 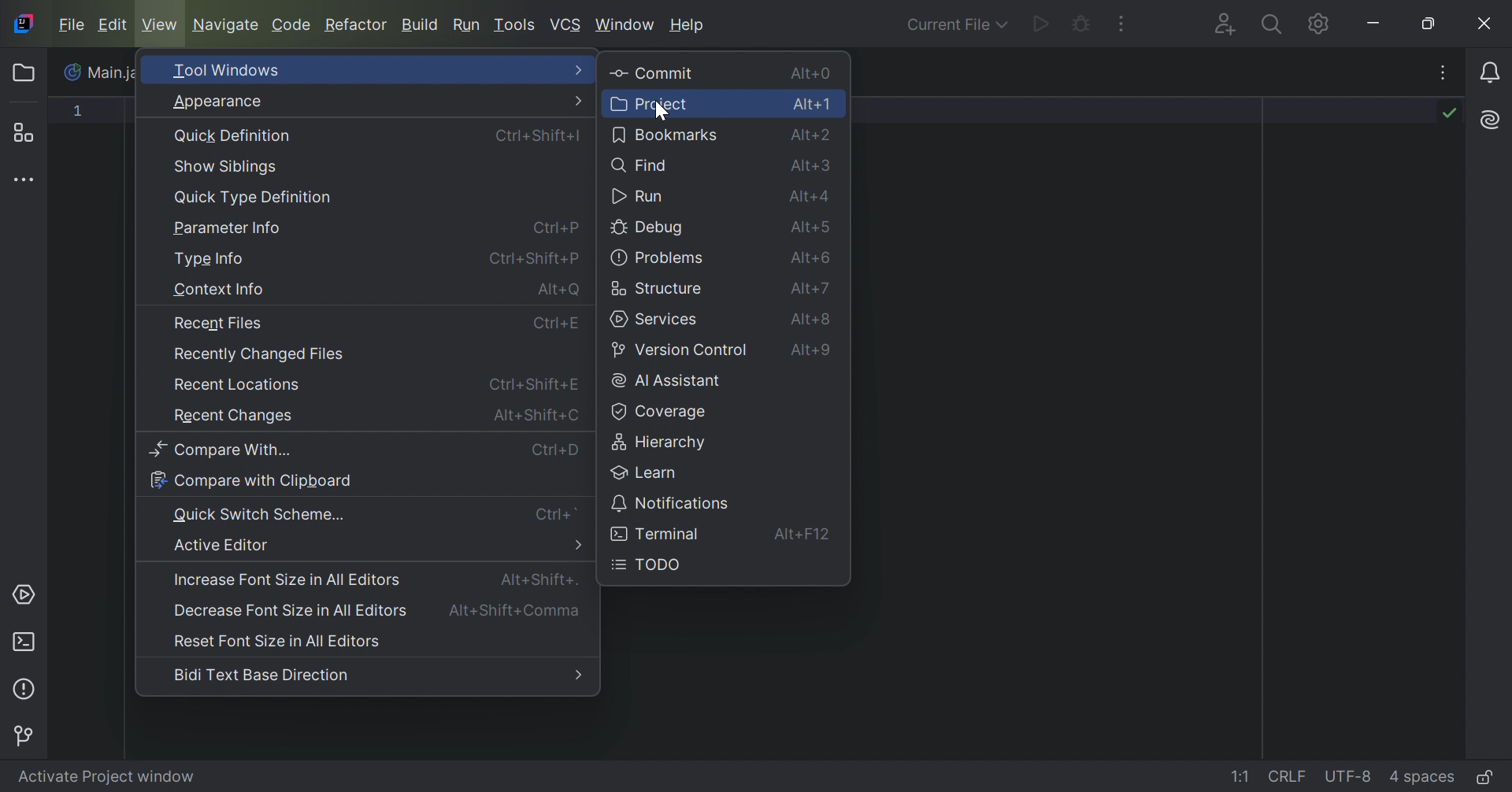 I want to click on Alt+9, so click(x=815, y=353).